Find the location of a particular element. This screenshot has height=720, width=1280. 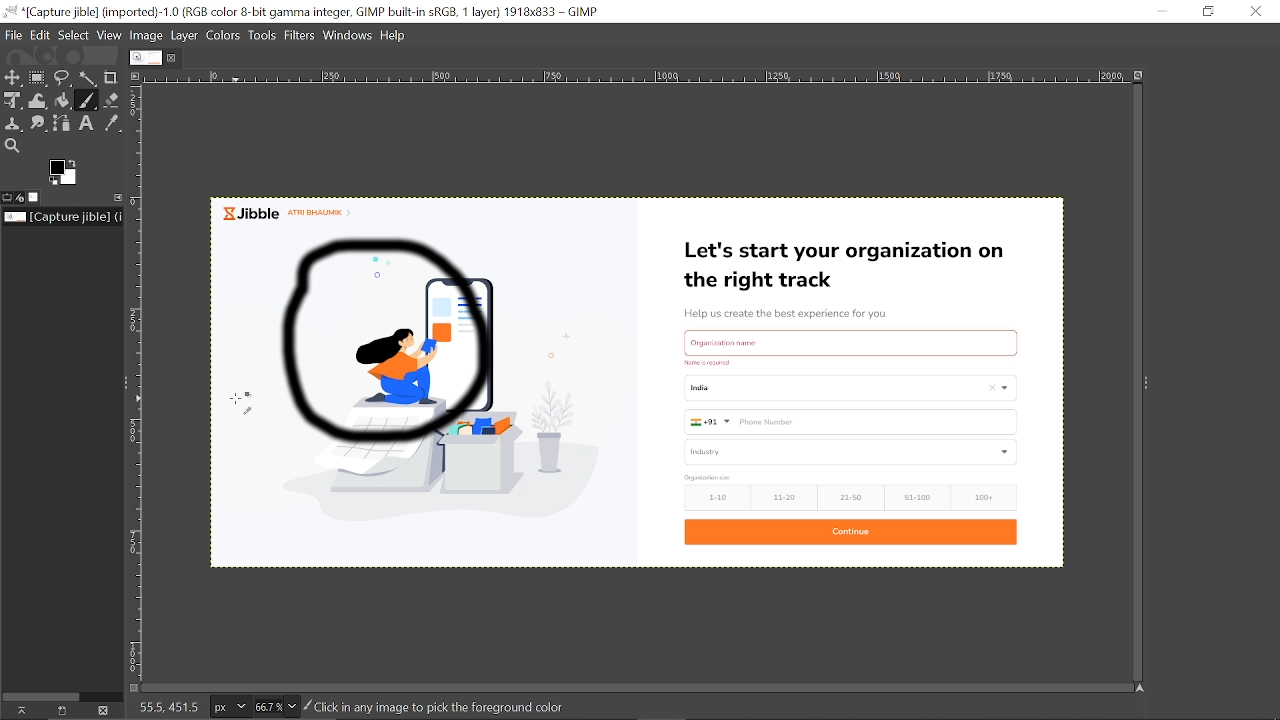

Tool options is located at coordinates (8, 197).